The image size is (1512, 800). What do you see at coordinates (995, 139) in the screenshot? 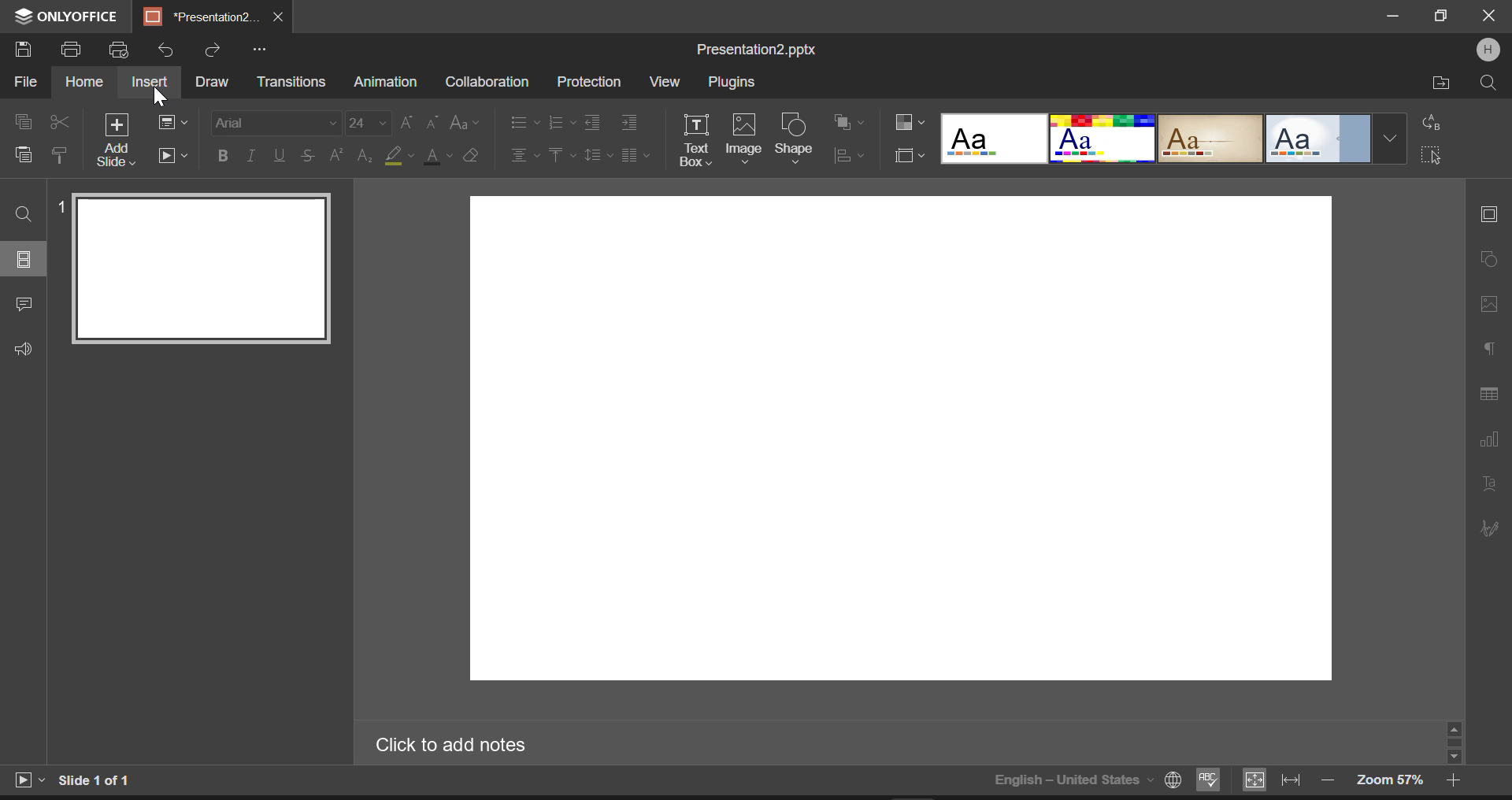
I see `Blank` at bounding box center [995, 139].